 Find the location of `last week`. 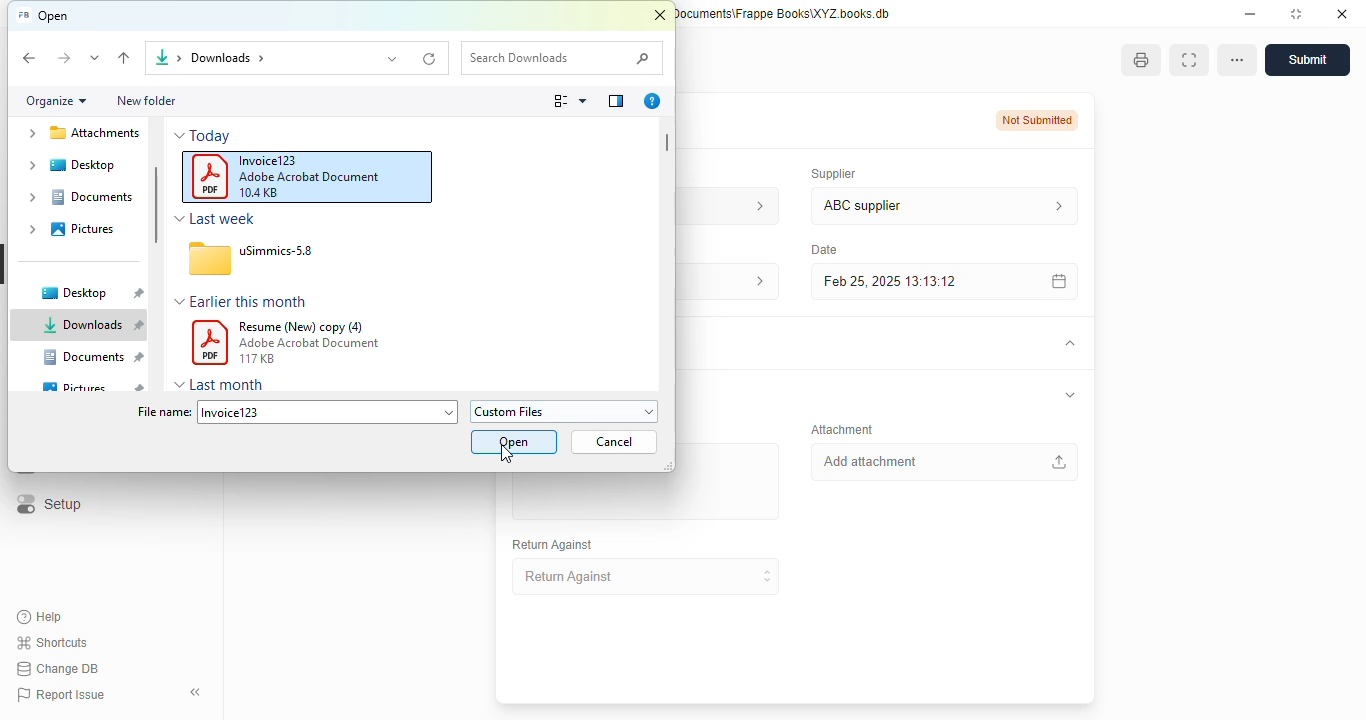

last week is located at coordinates (224, 218).